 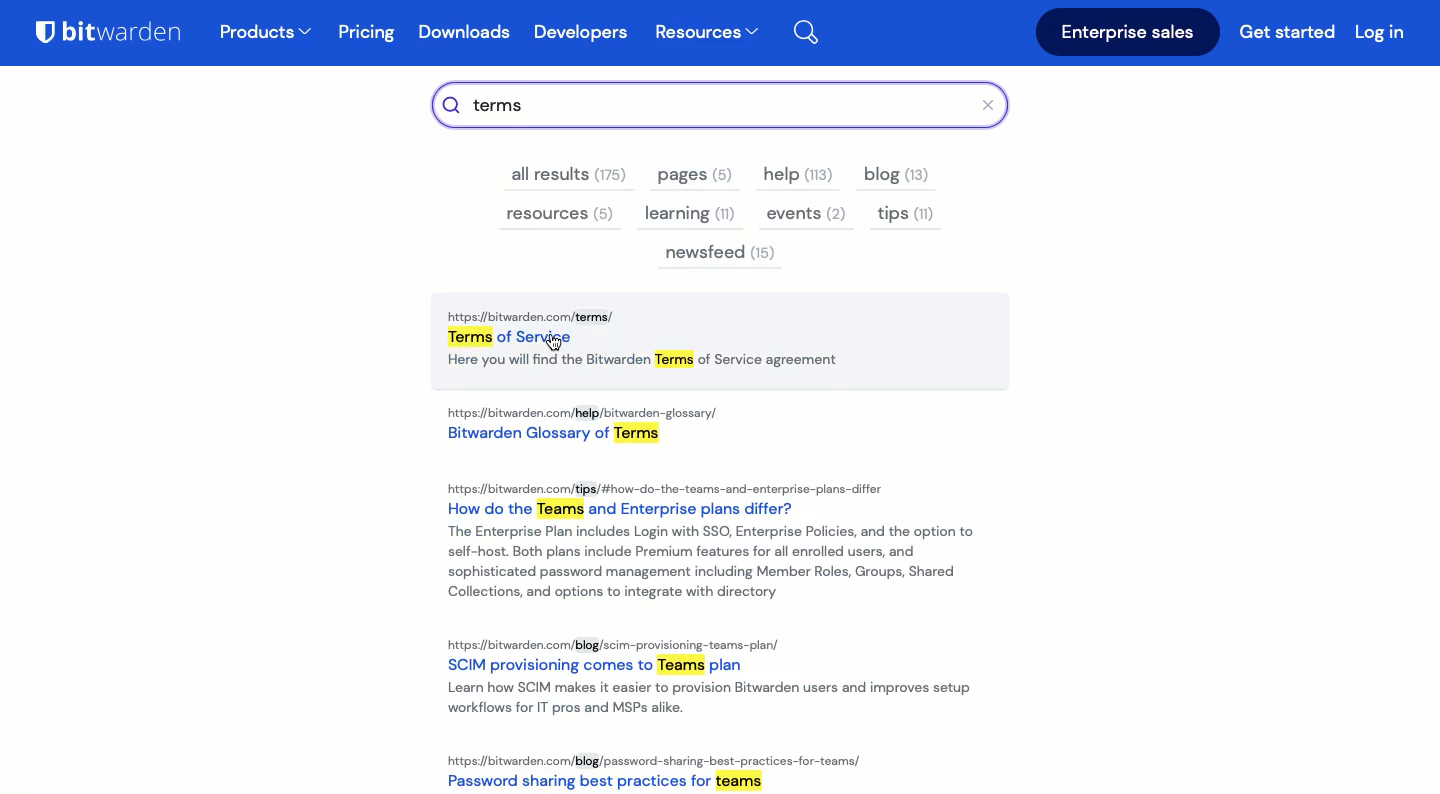 What do you see at coordinates (706, 34) in the screenshot?
I see `Resources` at bounding box center [706, 34].